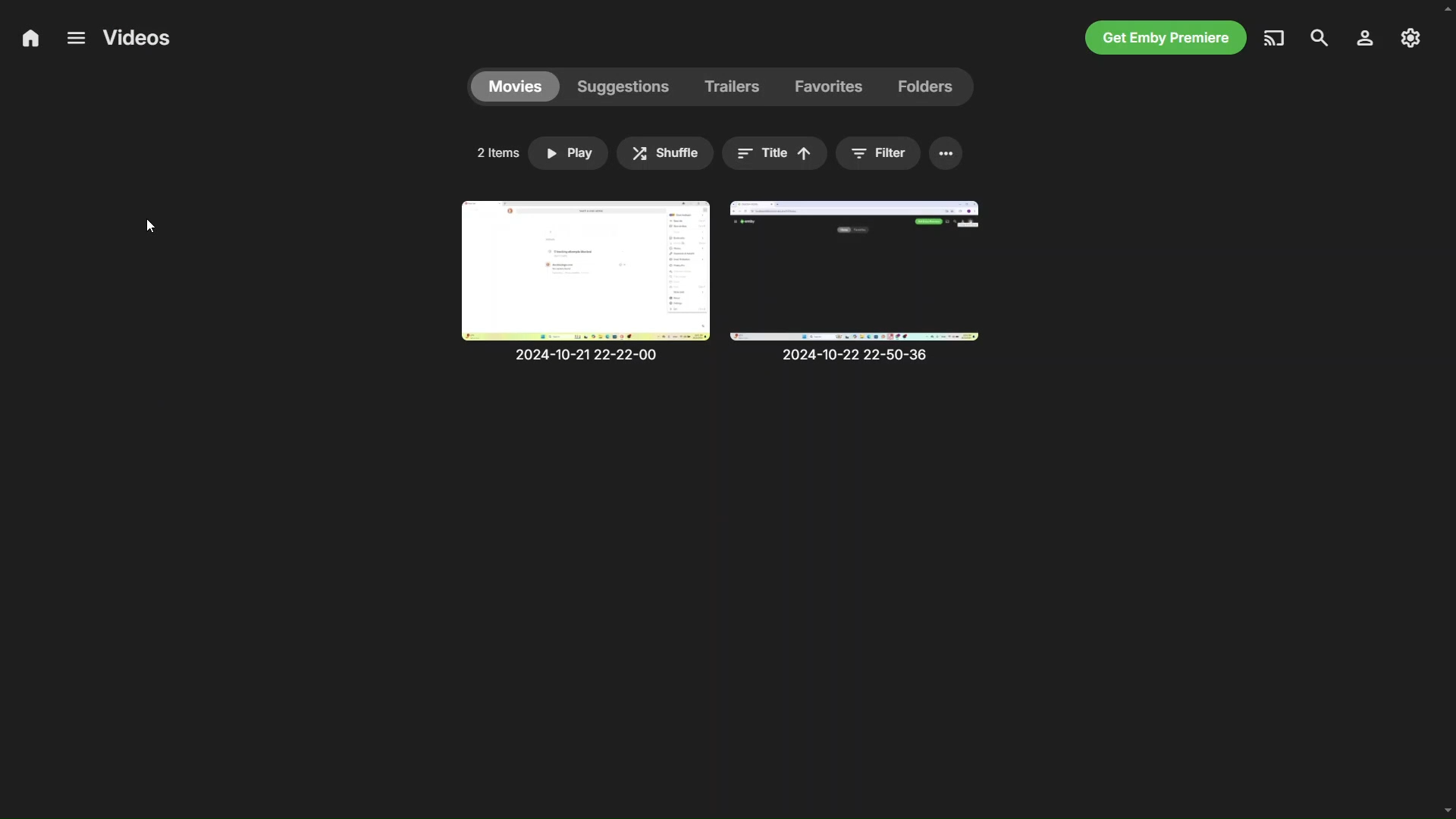  What do you see at coordinates (733, 86) in the screenshot?
I see `trailers` at bounding box center [733, 86].